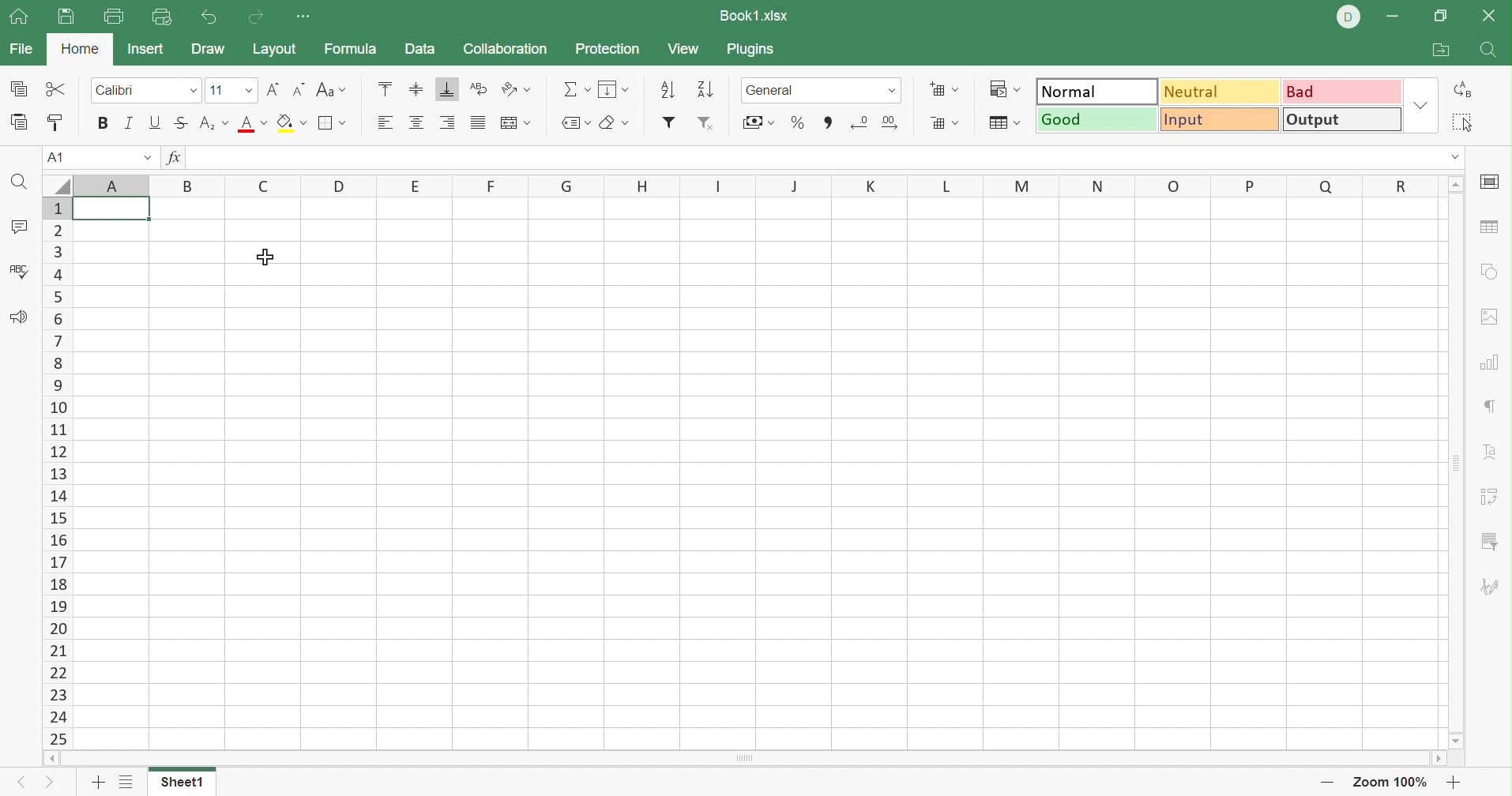  What do you see at coordinates (1488, 15) in the screenshot?
I see `Close` at bounding box center [1488, 15].